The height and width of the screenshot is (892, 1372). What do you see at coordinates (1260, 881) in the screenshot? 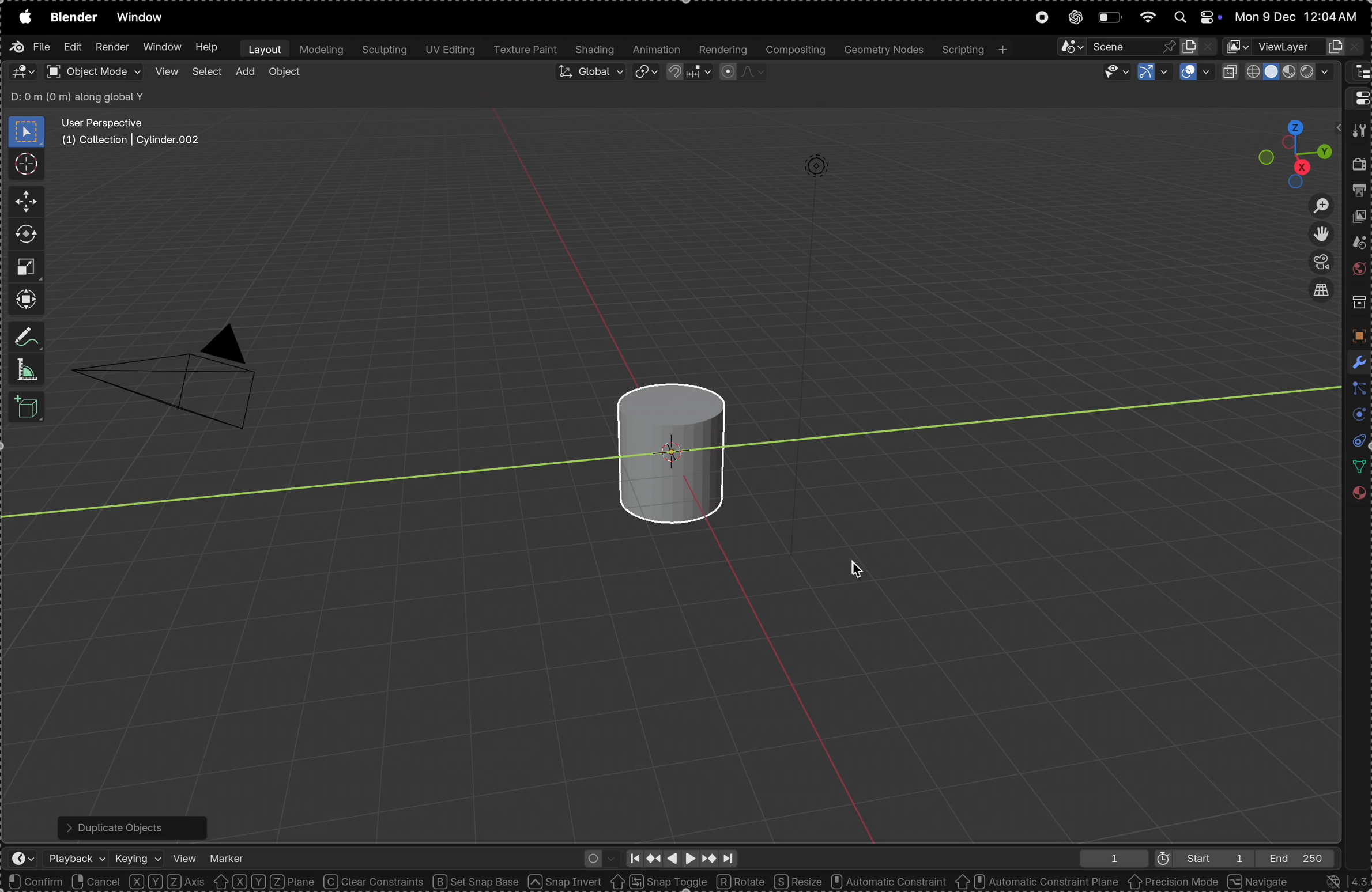
I see `navigate` at bounding box center [1260, 881].